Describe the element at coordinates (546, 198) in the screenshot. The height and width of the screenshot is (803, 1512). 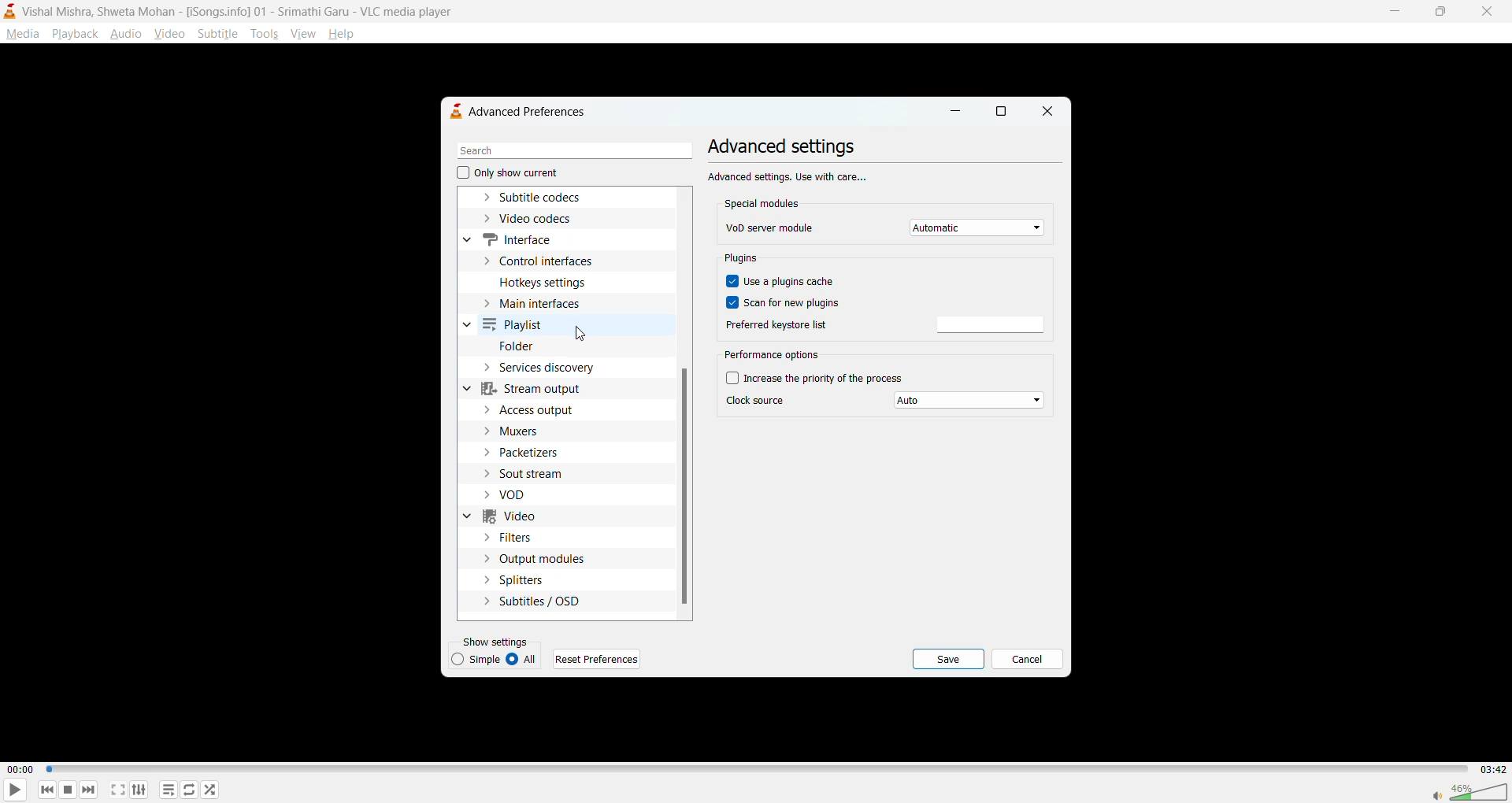
I see `subtitle codecs` at that location.